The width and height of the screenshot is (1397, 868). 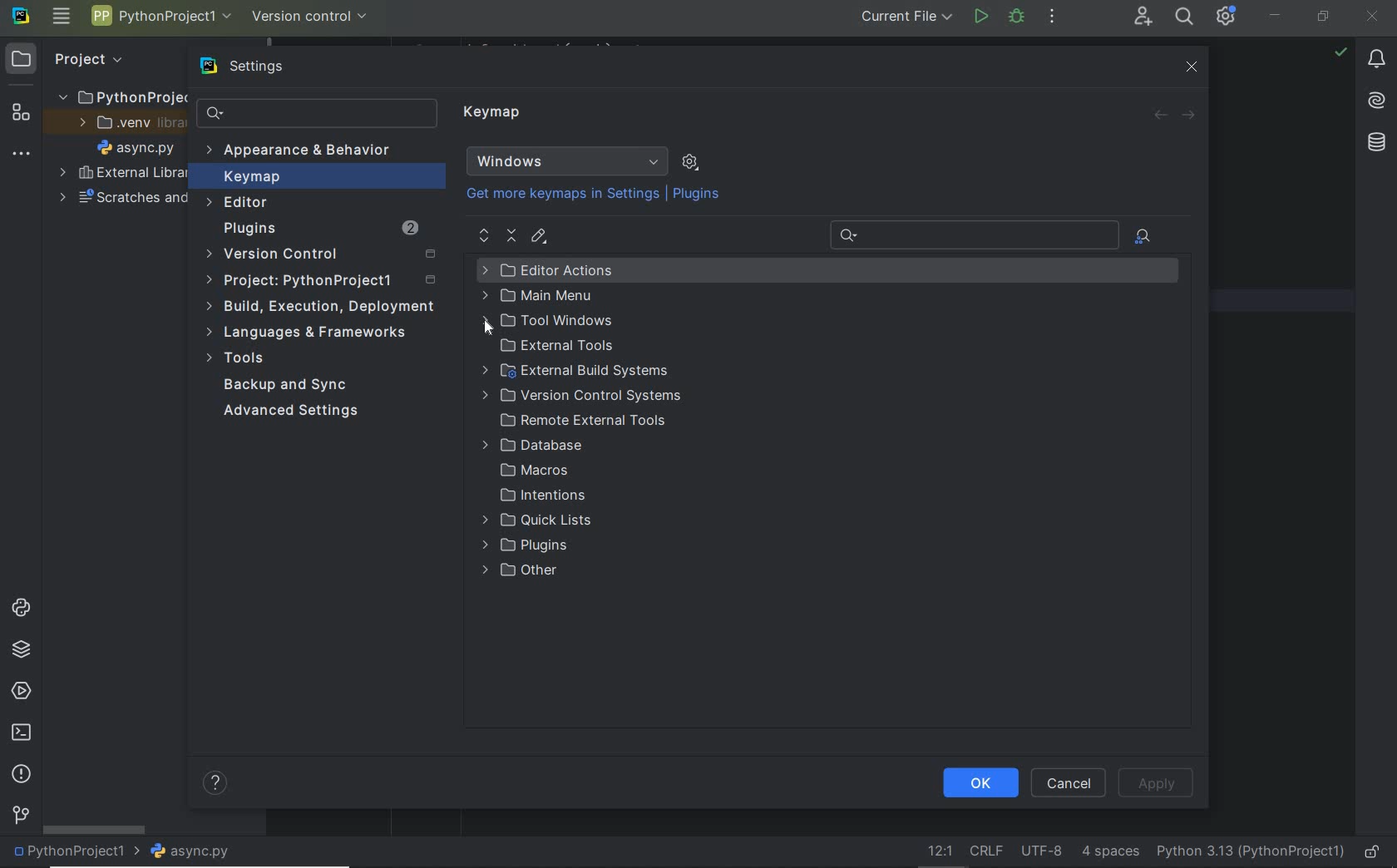 I want to click on File Encoding, so click(x=1043, y=852).